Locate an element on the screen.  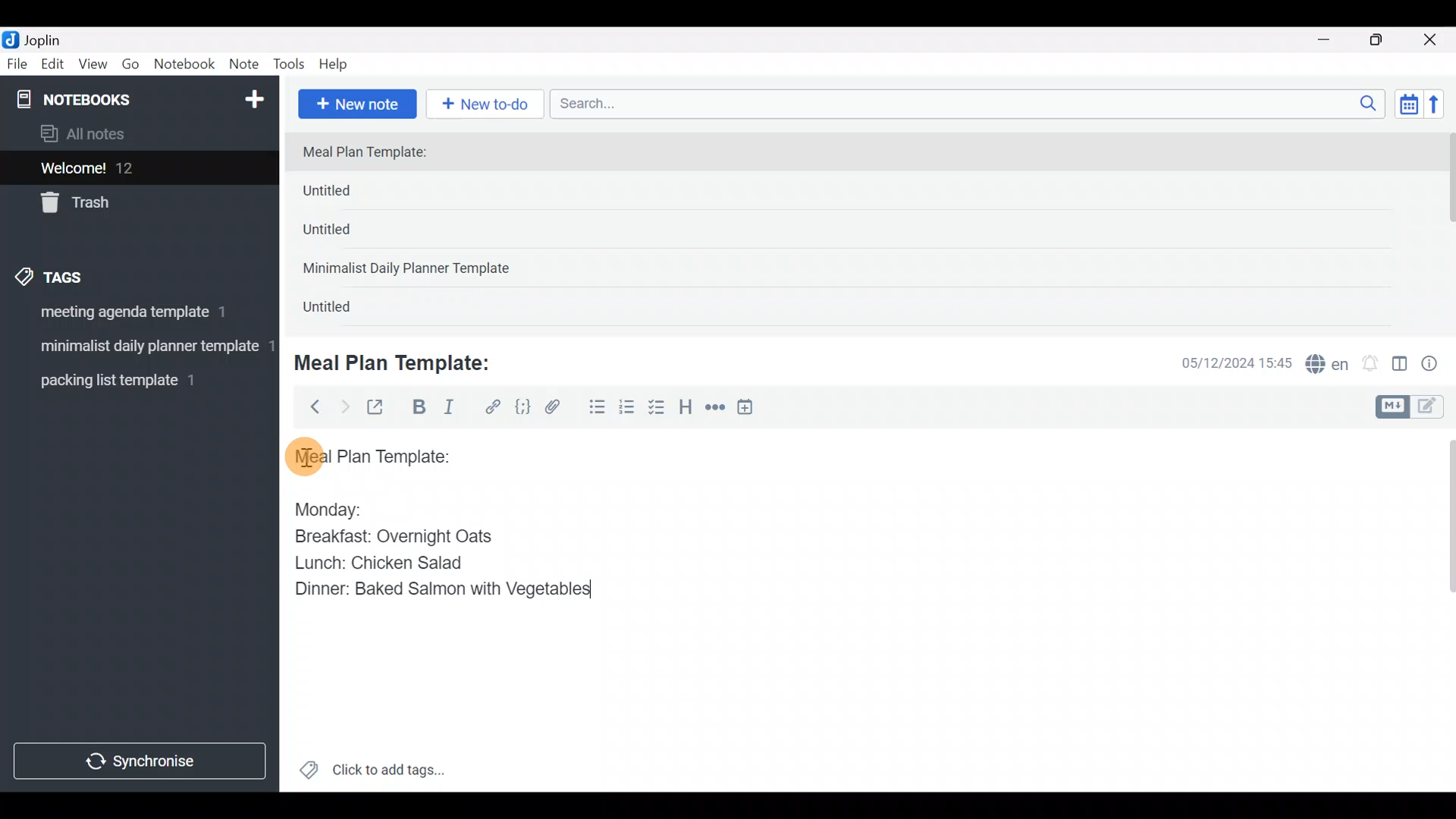
Text editor is located at coordinates (846, 693).